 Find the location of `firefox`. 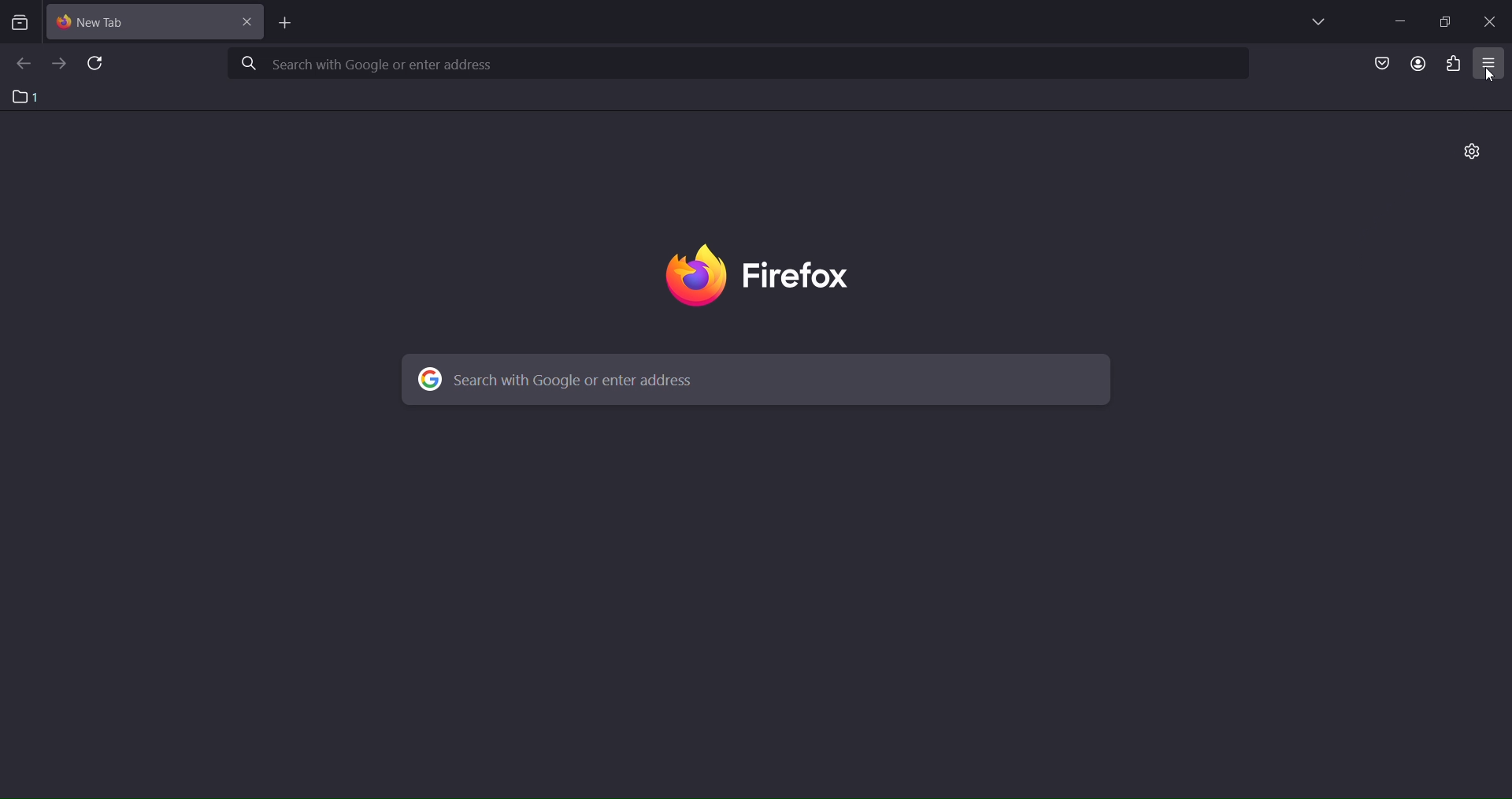

firefox is located at coordinates (752, 273).